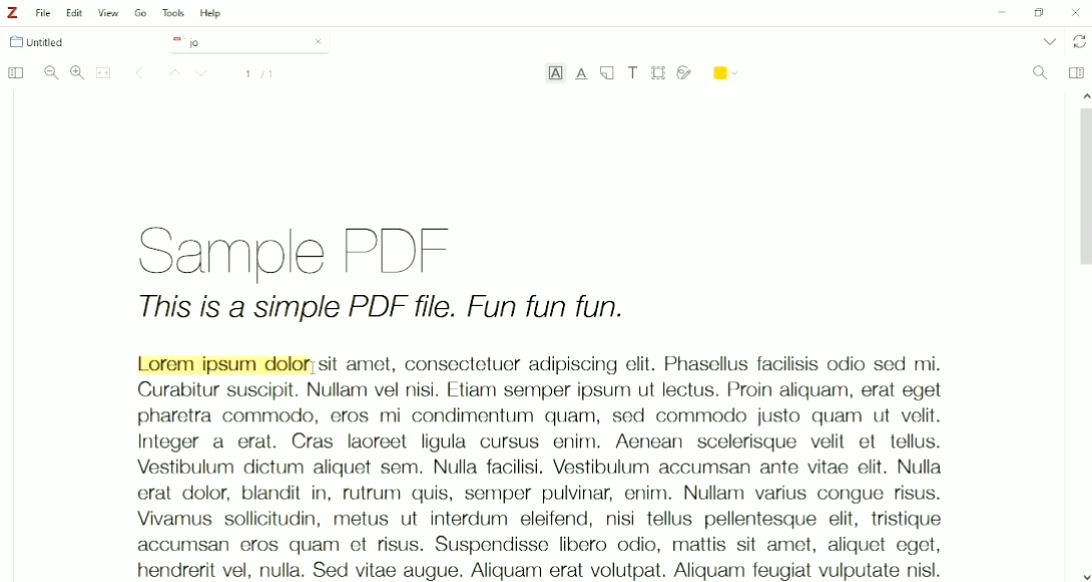  I want to click on Down, so click(204, 75).